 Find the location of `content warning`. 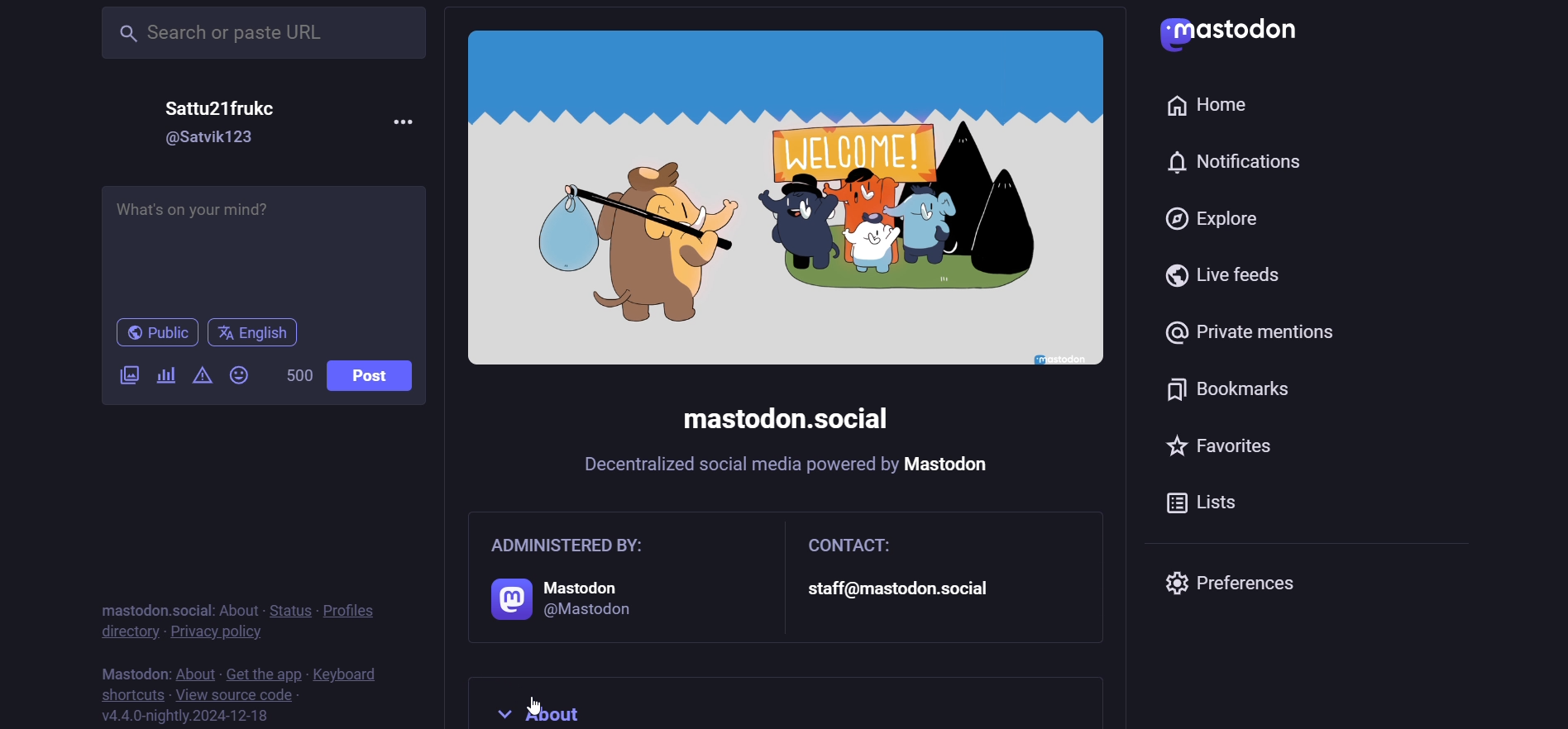

content warning is located at coordinates (201, 375).